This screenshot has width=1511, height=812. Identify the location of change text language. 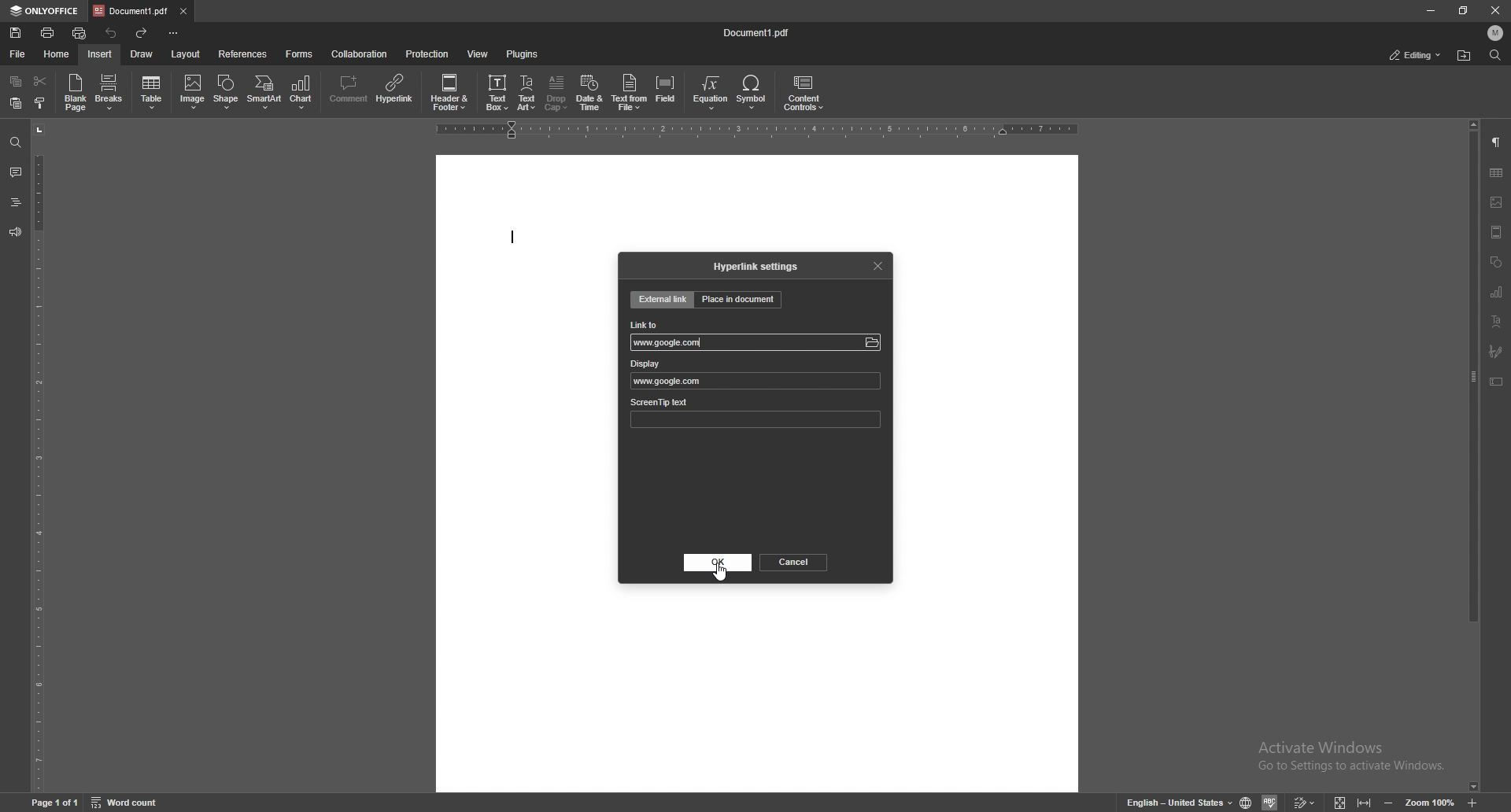
(1180, 802).